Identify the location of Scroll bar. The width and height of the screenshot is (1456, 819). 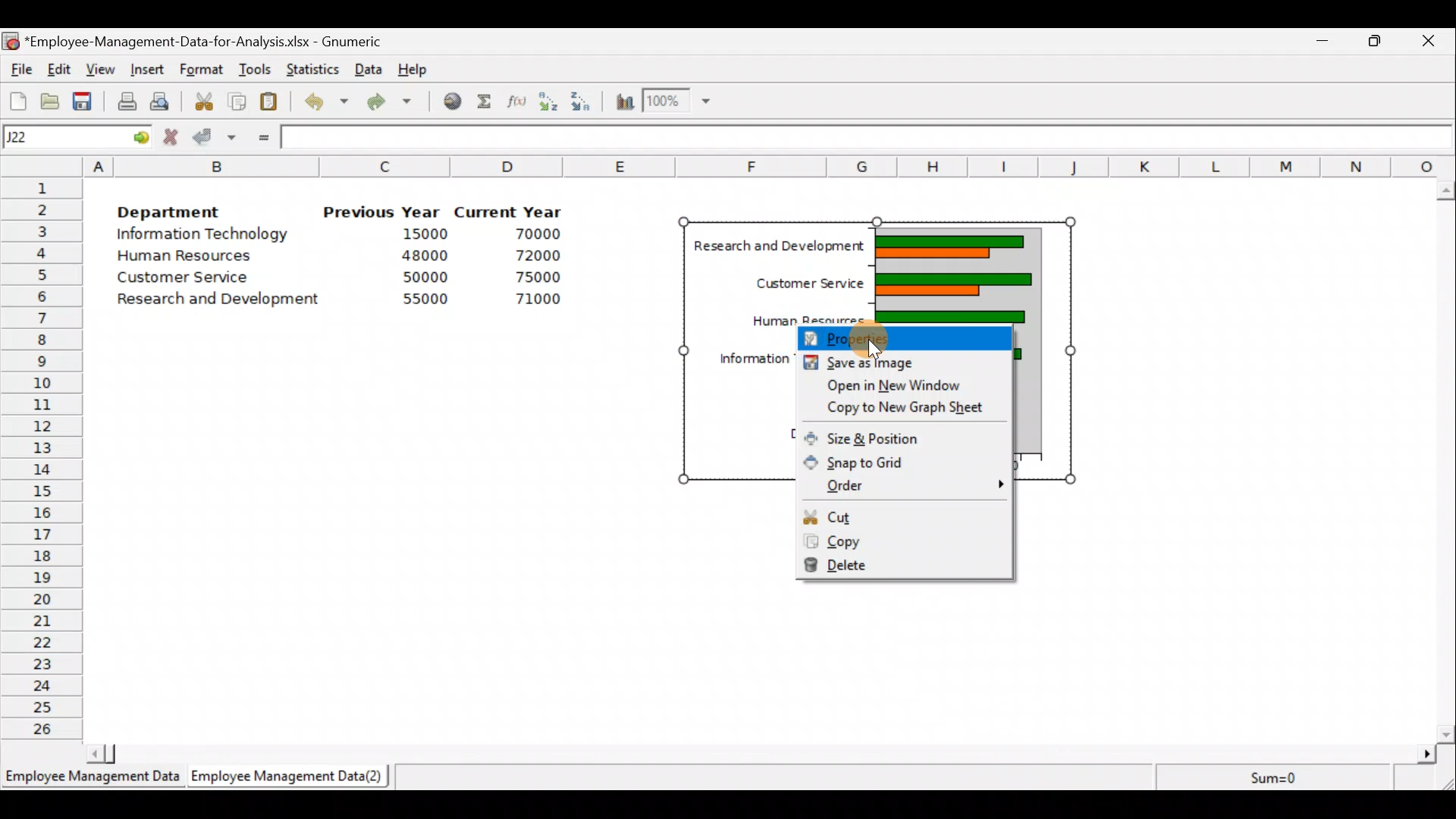
(1439, 457).